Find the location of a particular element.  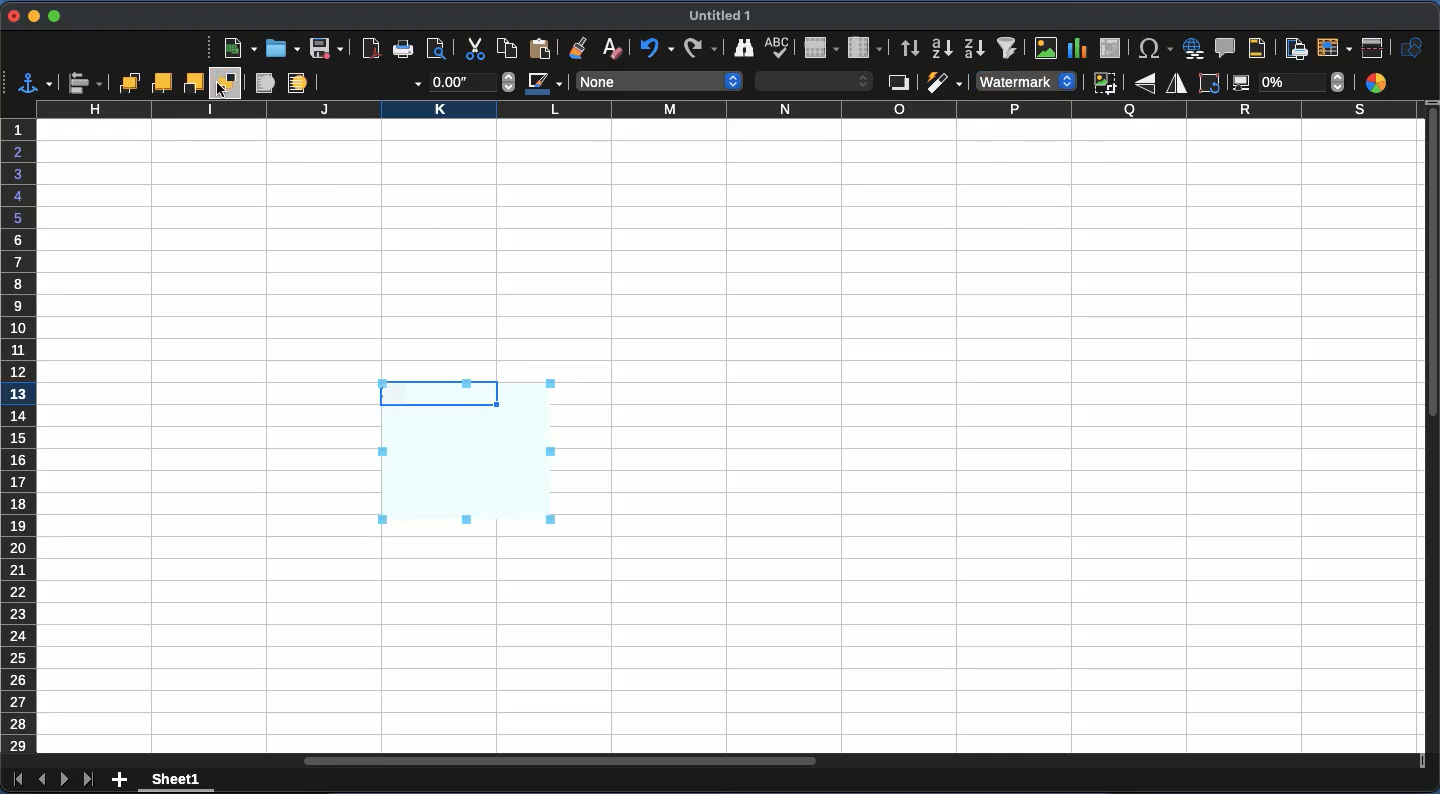

line style is located at coordinates (373, 84).